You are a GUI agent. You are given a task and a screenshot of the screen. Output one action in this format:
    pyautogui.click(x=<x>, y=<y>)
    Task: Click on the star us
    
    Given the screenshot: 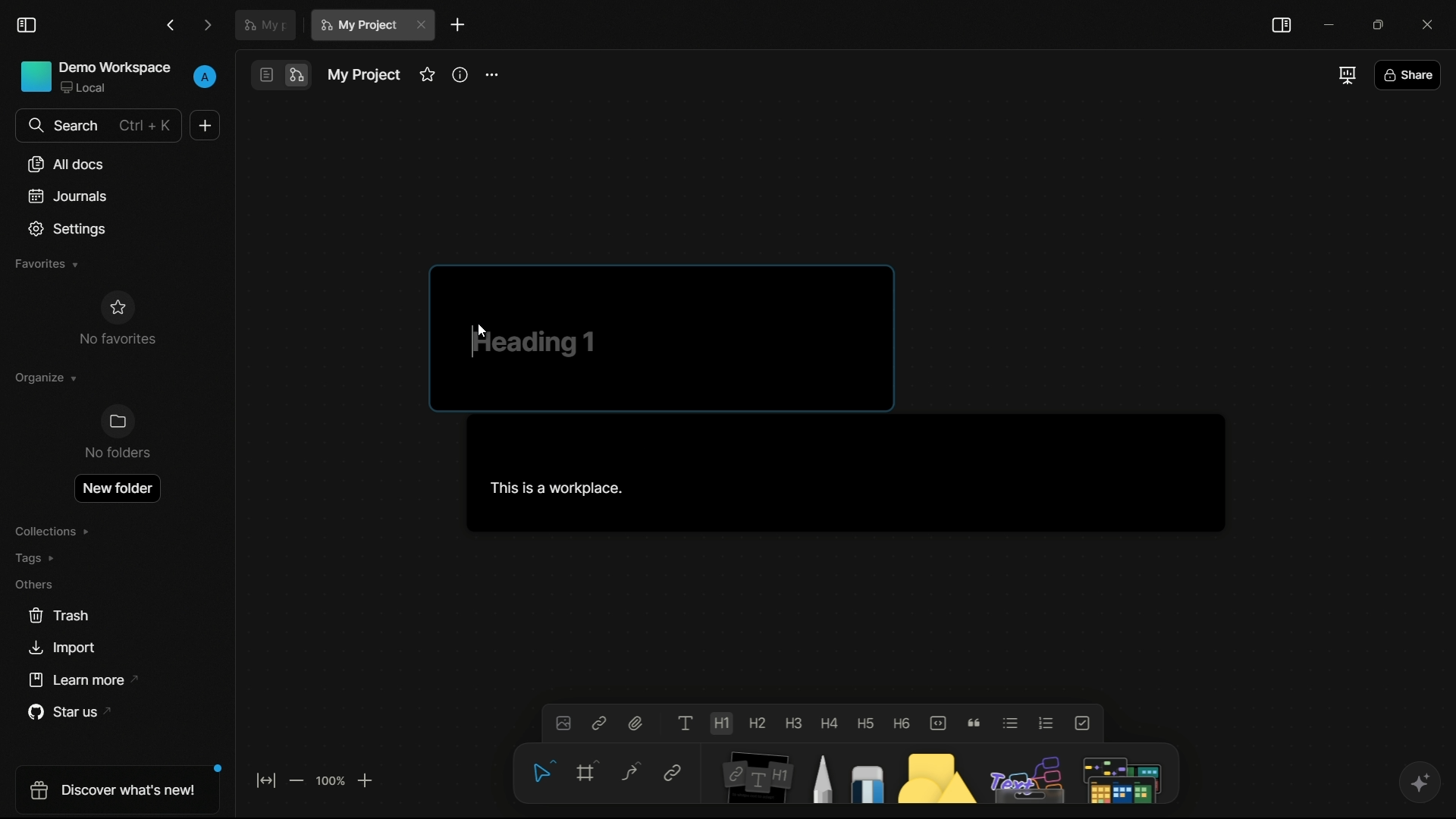 What is the action you would take?
    pyautogui.click(x=58, y=712)
    